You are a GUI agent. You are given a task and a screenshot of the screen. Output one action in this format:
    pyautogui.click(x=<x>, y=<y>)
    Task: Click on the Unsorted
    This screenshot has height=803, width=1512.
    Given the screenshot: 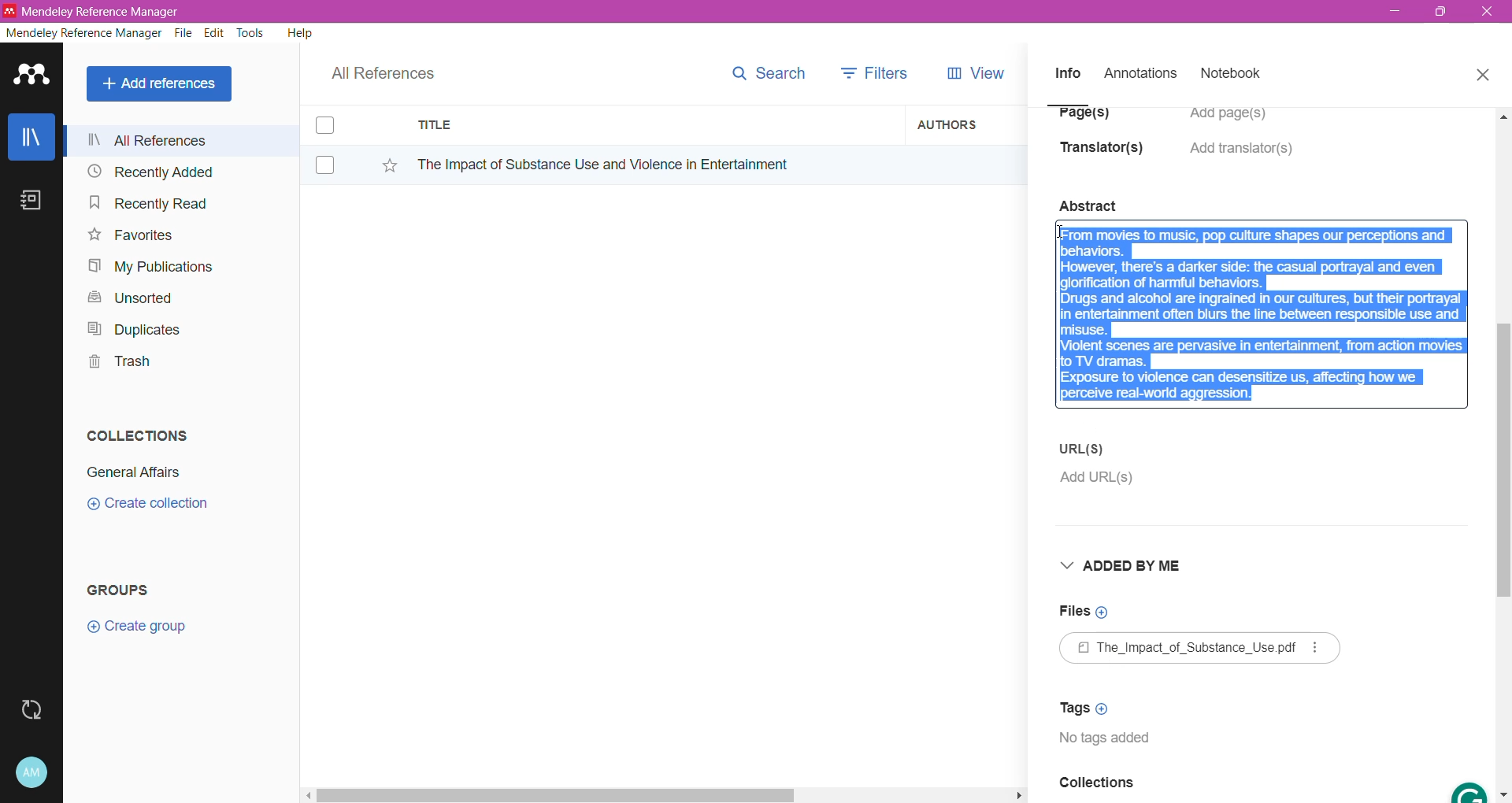 What is the action you would take?
    pyautogui.click(x=128, y=297)
    